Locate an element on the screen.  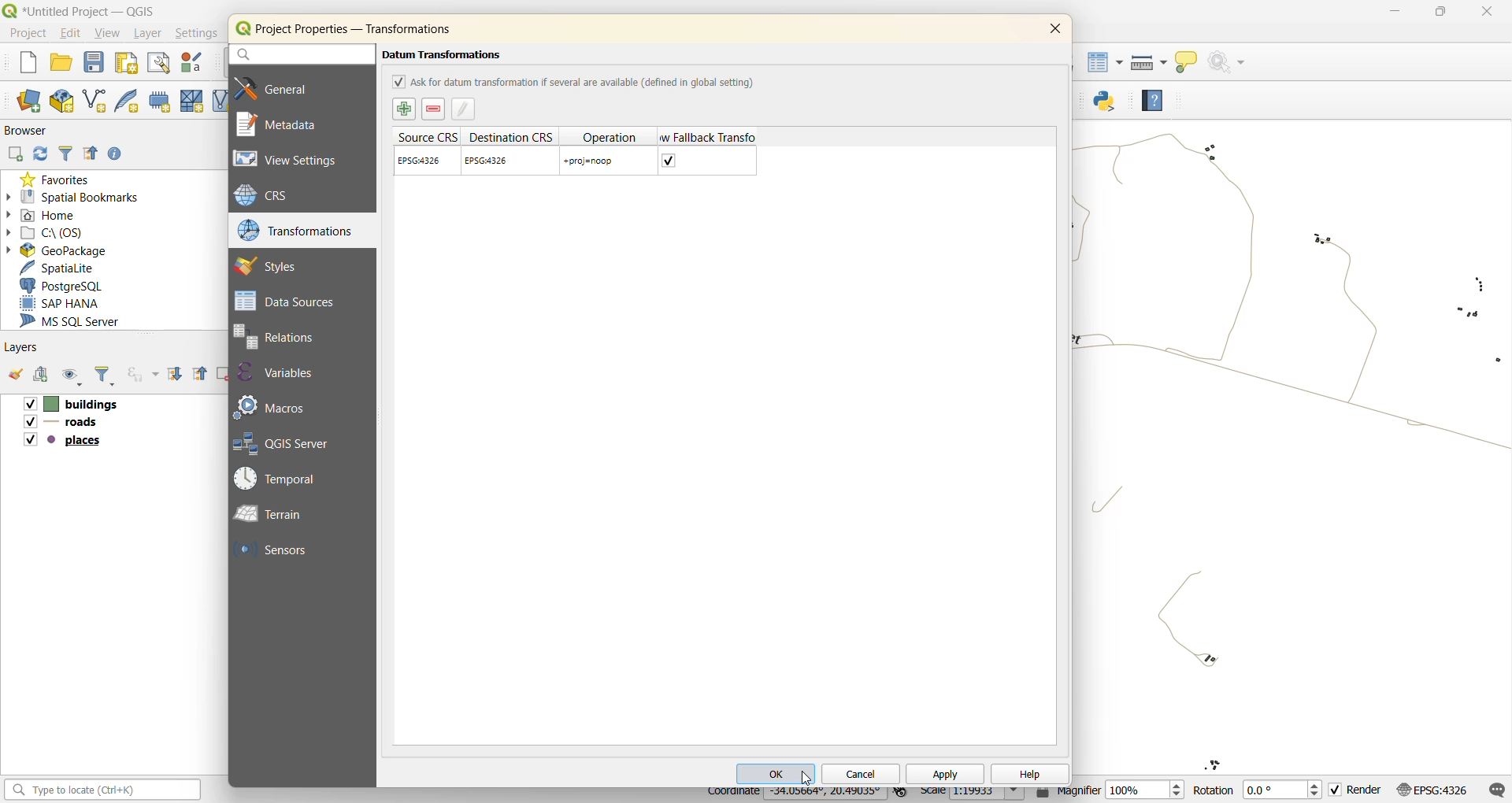
measure line is located at coordinates (1147, 62).